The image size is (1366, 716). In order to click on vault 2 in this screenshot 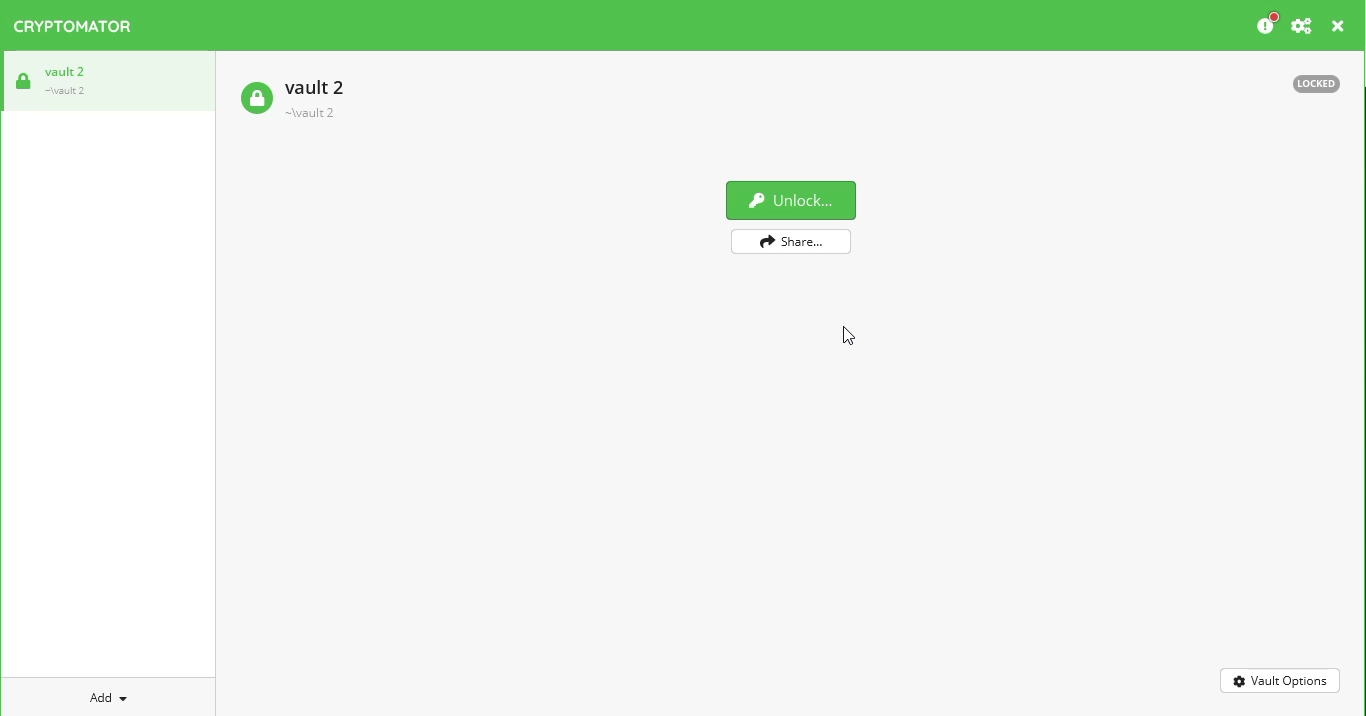, I will do `click(108, 80)`.